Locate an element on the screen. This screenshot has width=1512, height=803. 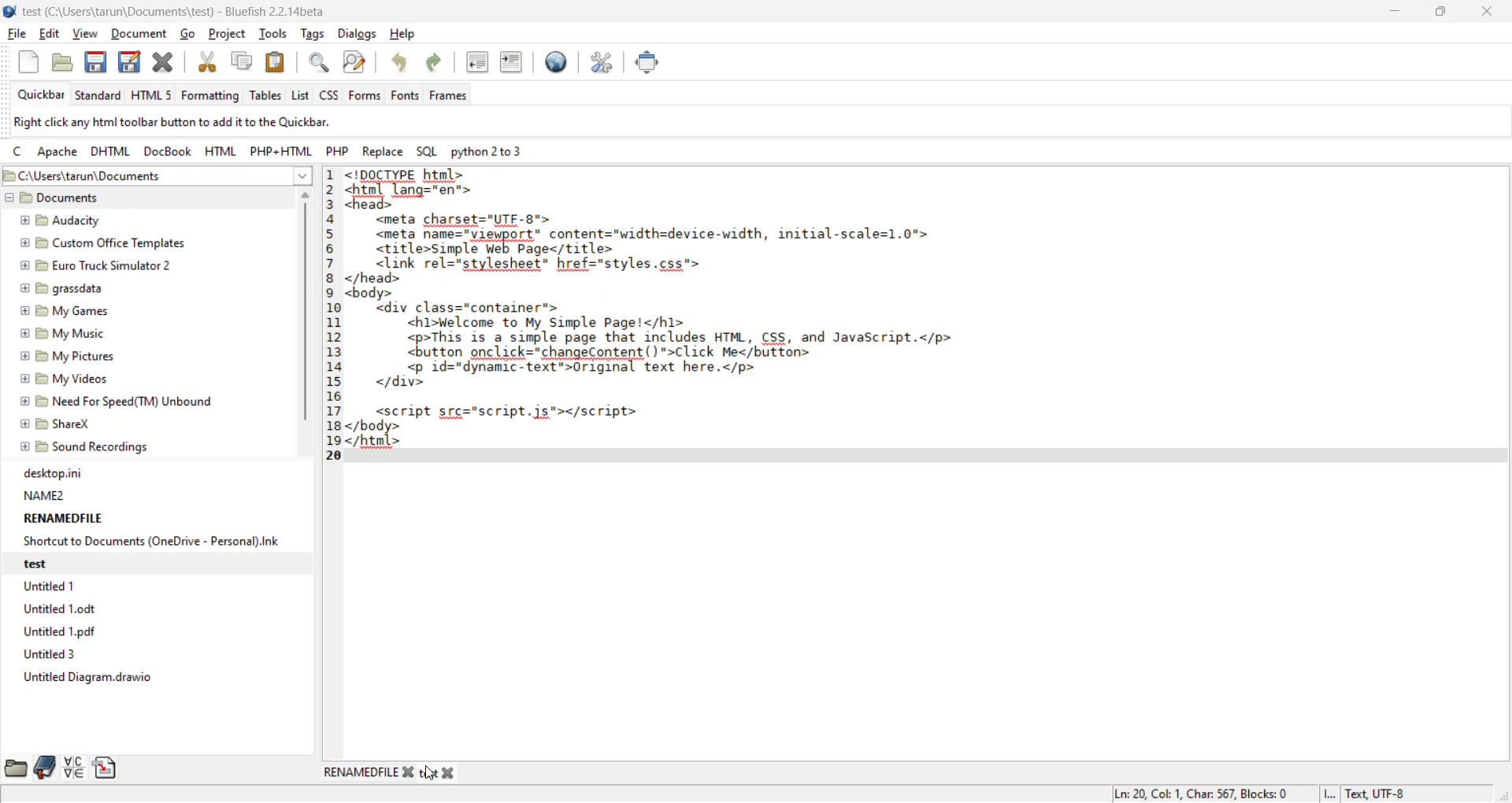
line no. is located at coordinates (332, 324).